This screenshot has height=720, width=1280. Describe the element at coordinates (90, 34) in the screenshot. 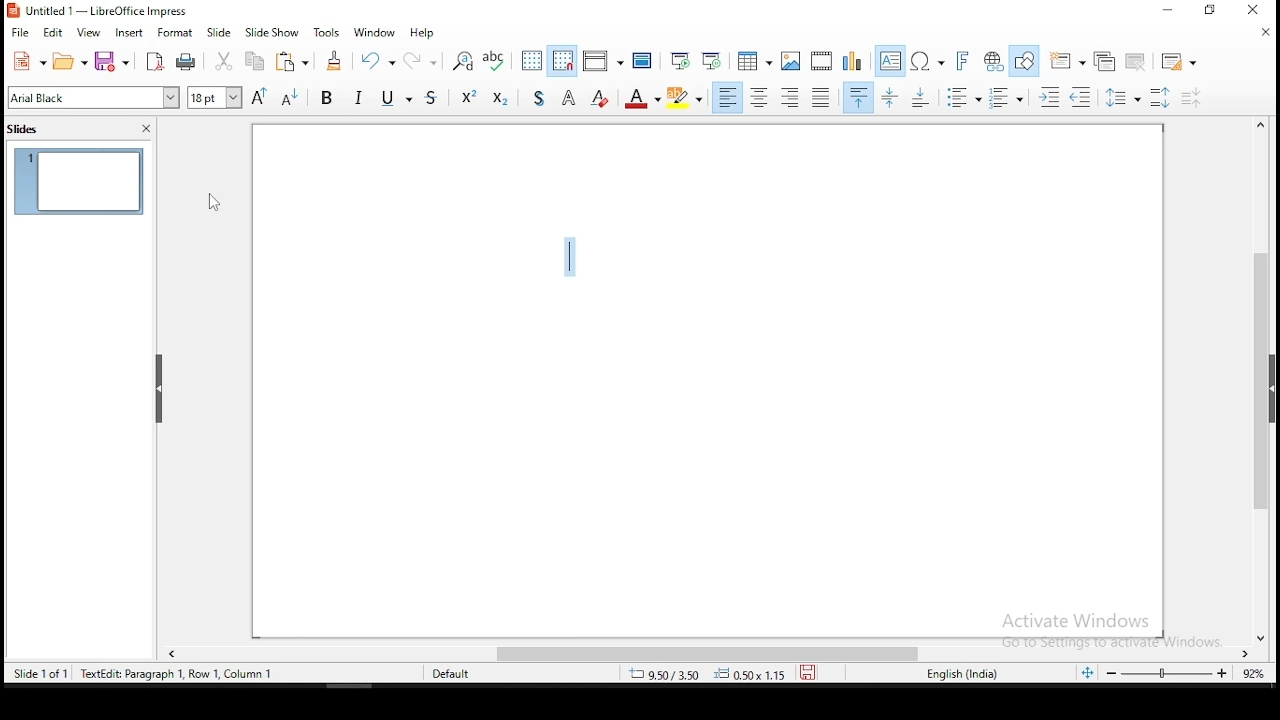

I see `view` at that location.